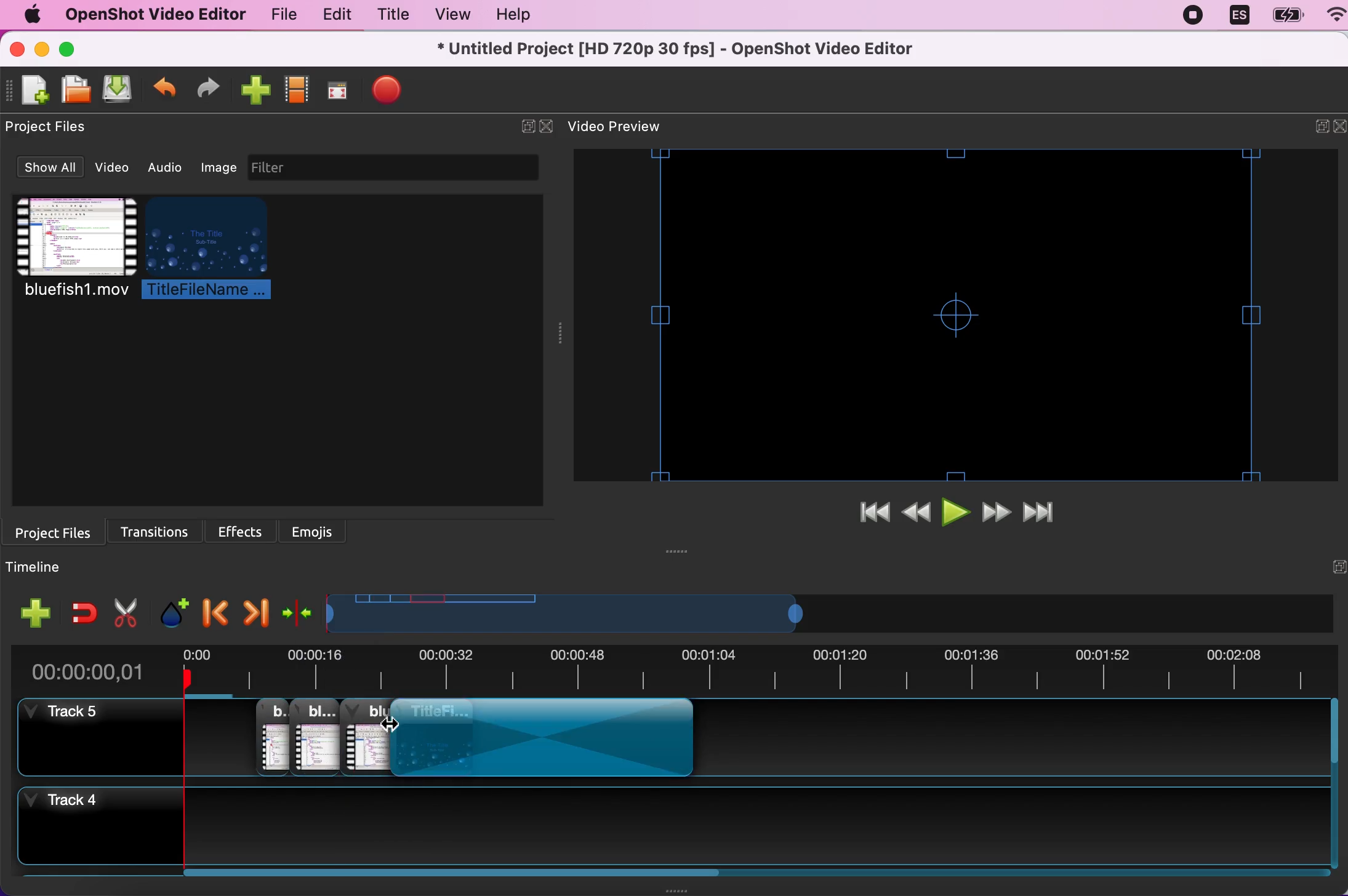 The width and height of the screenshot is (1348, 896). I want to click on track 4, so click(772, 823).